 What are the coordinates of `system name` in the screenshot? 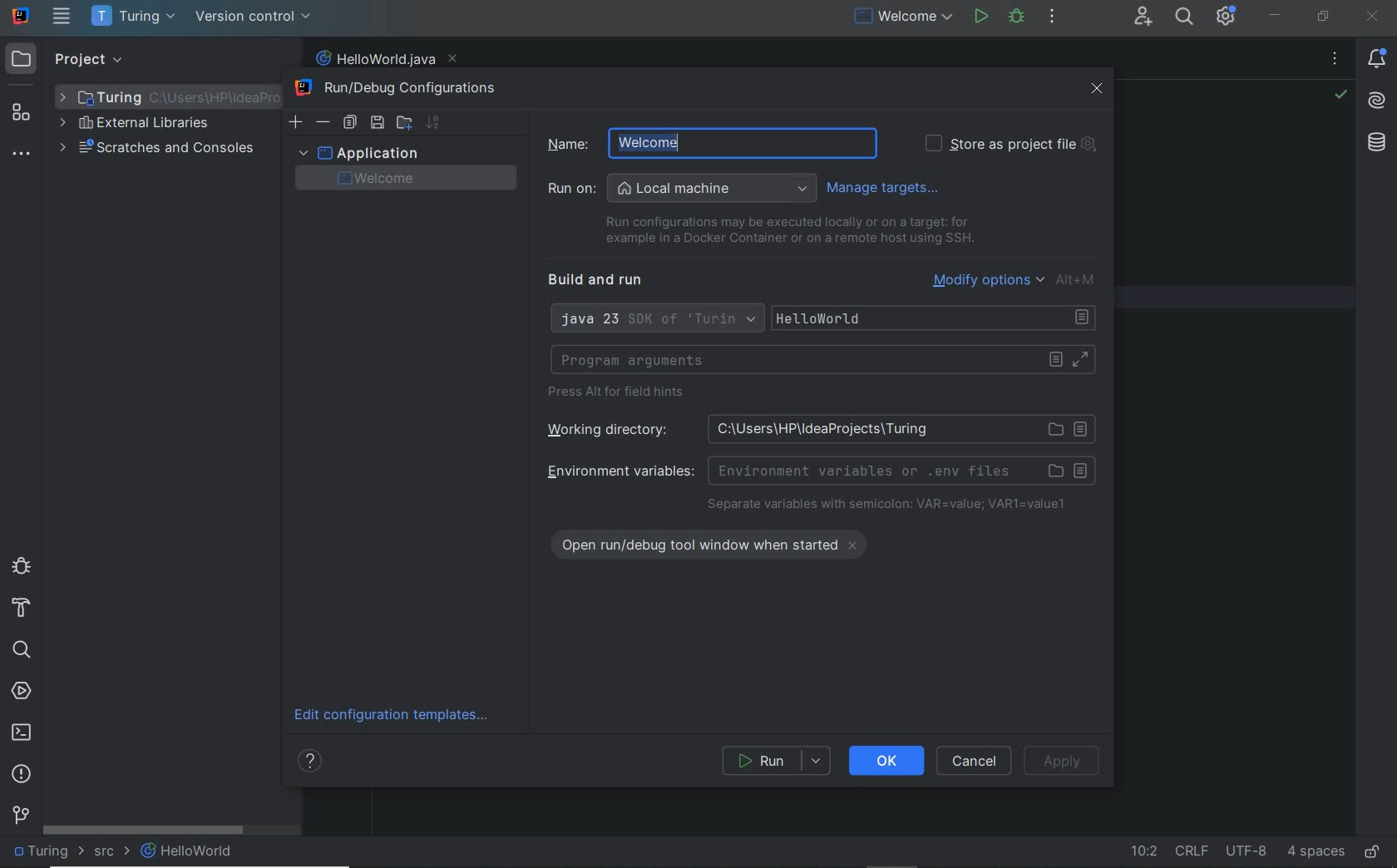 It's located at (22, 16).